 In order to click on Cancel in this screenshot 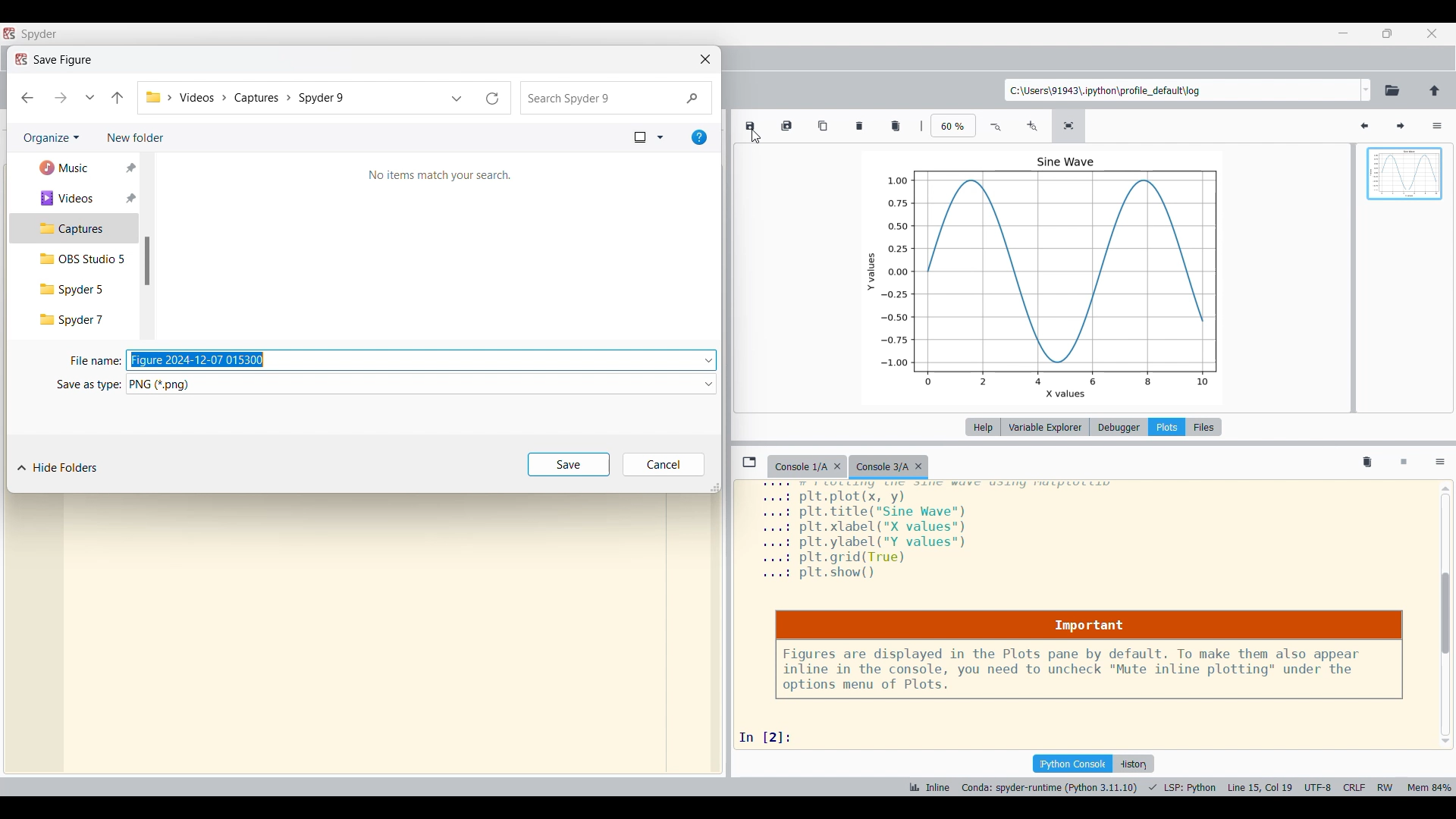, I will do `click(664, 464)`.